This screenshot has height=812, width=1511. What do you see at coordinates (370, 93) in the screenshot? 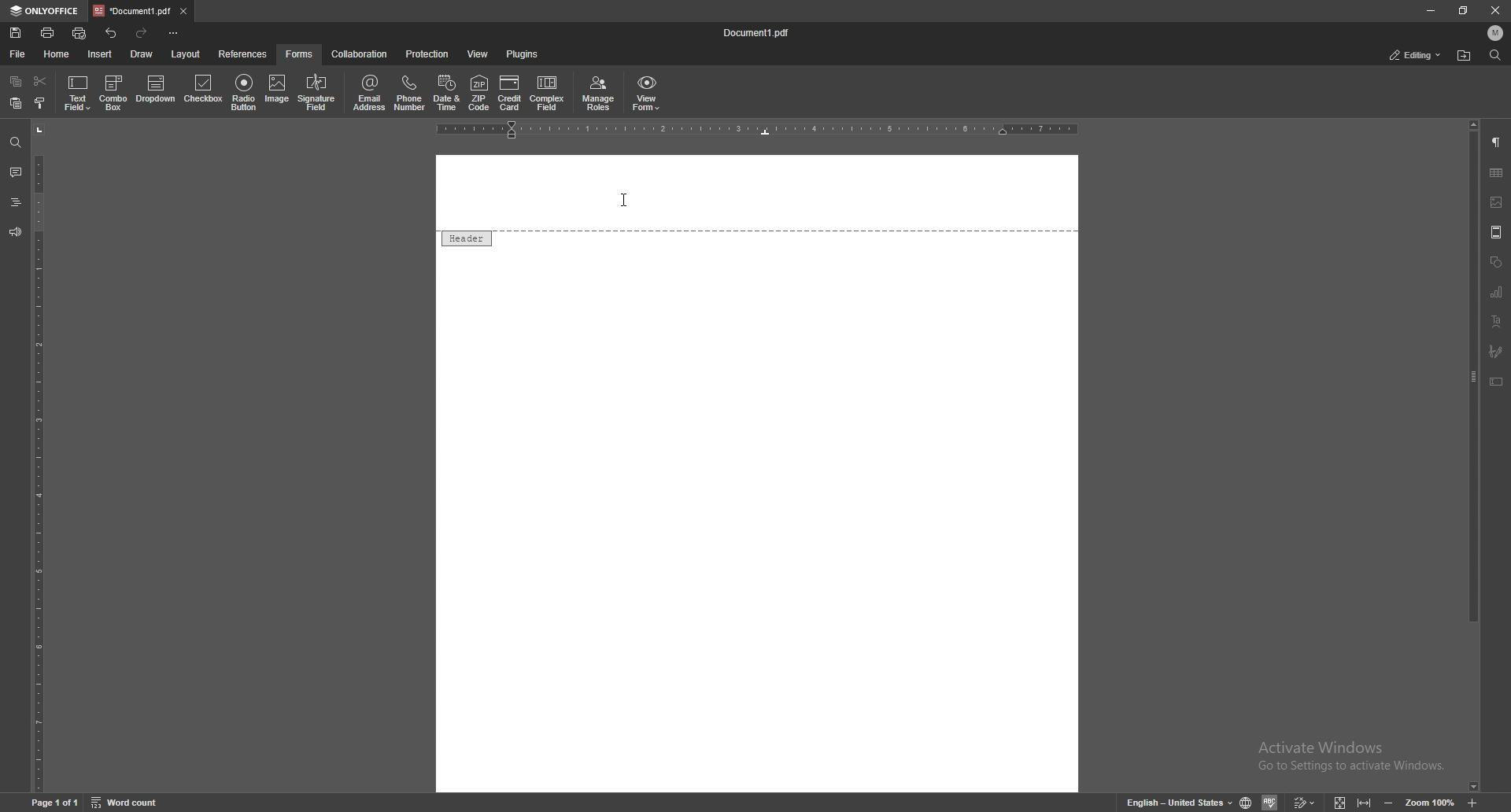
I see `email address` at bounding box center [370, 93].